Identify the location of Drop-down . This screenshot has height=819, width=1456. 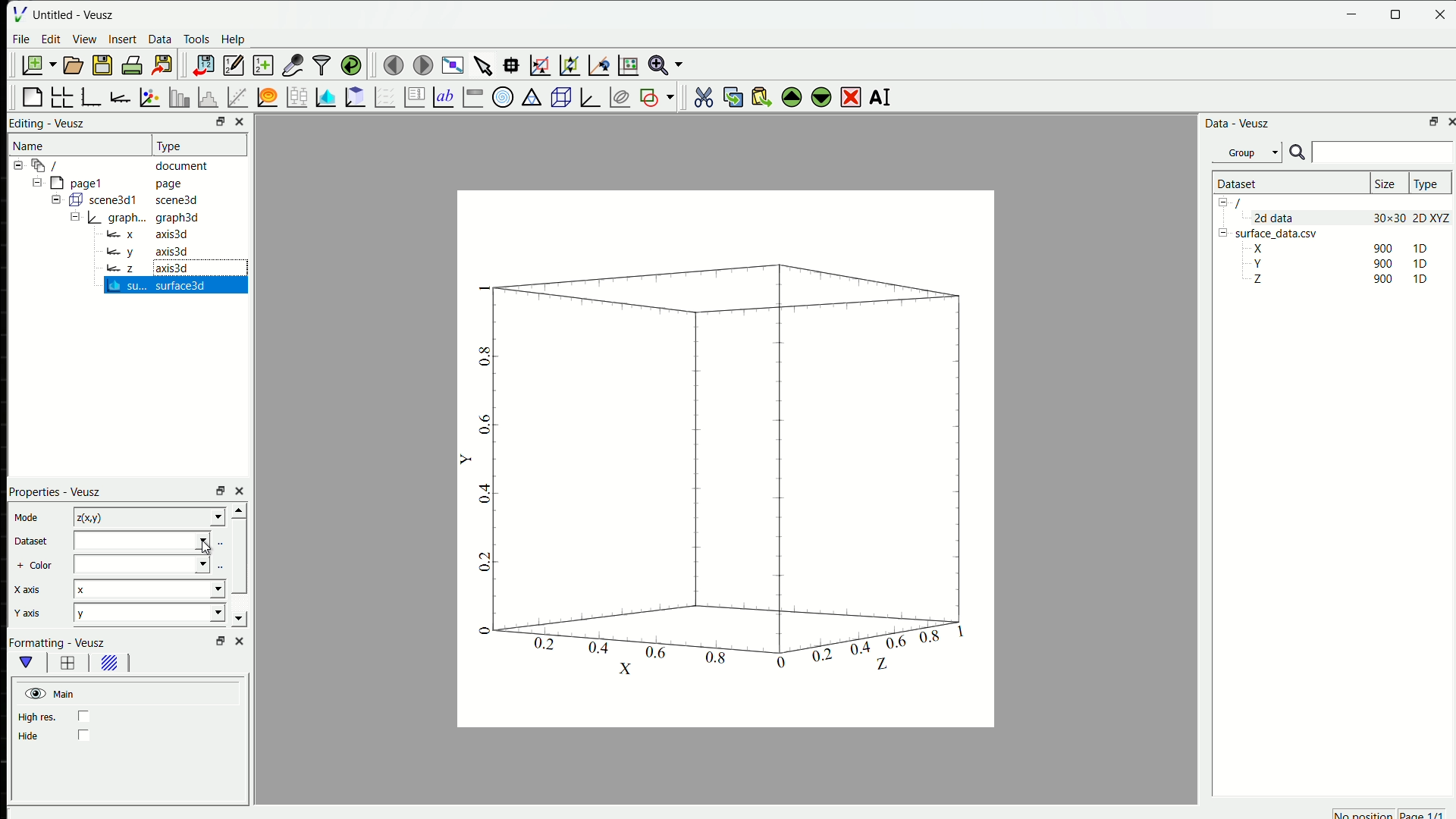
(218, 589).